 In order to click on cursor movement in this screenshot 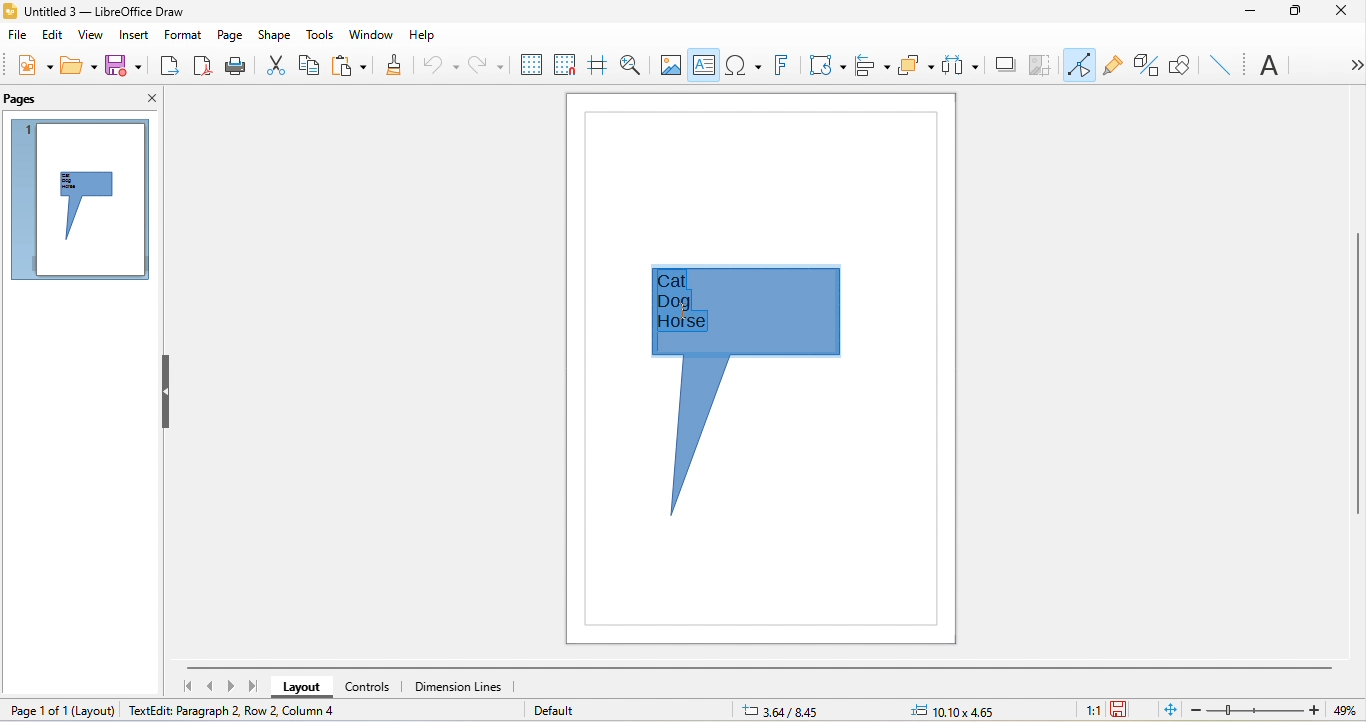, I will do `click(683, 310)`.